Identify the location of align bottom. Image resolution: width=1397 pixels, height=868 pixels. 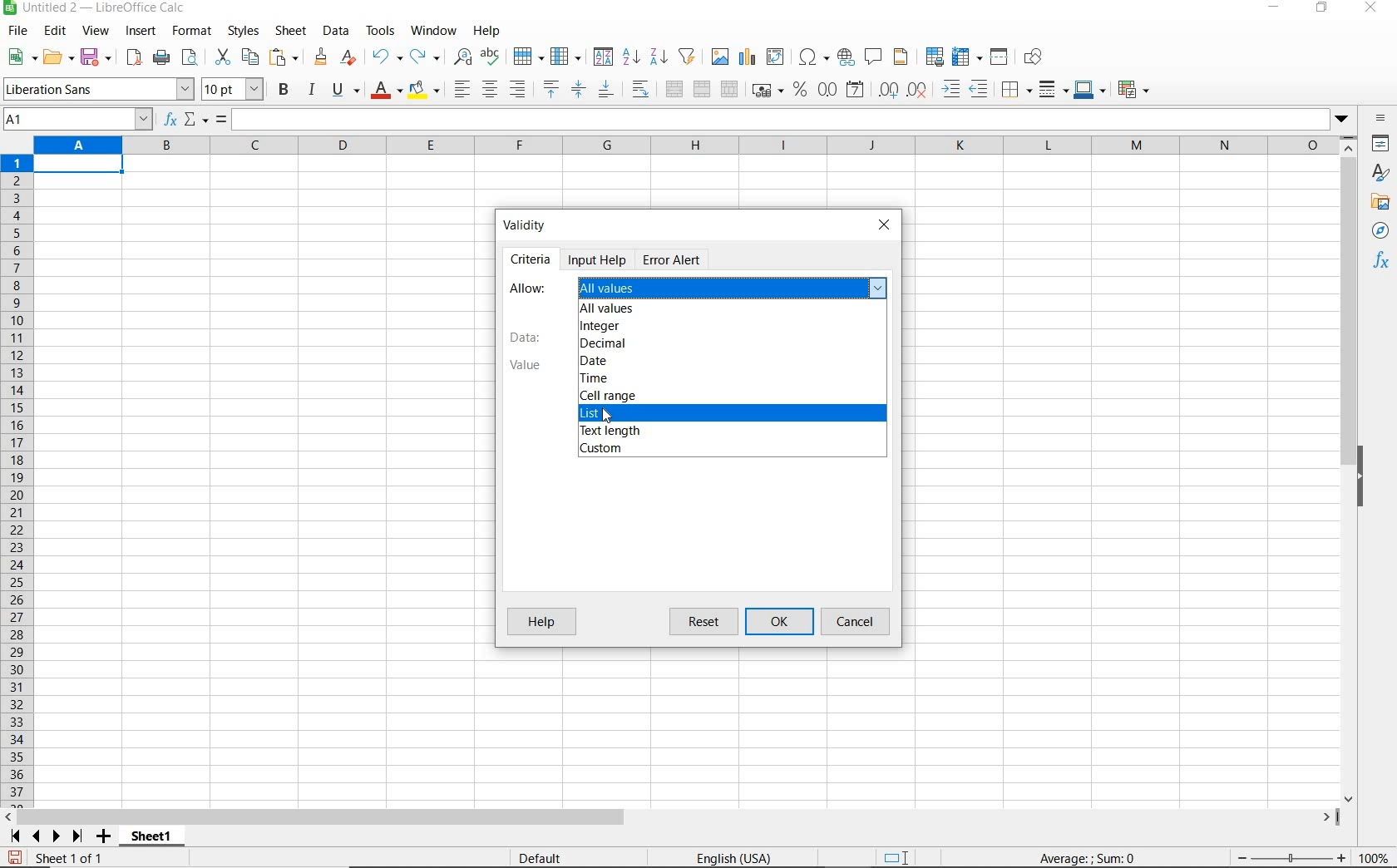
(605, 91).